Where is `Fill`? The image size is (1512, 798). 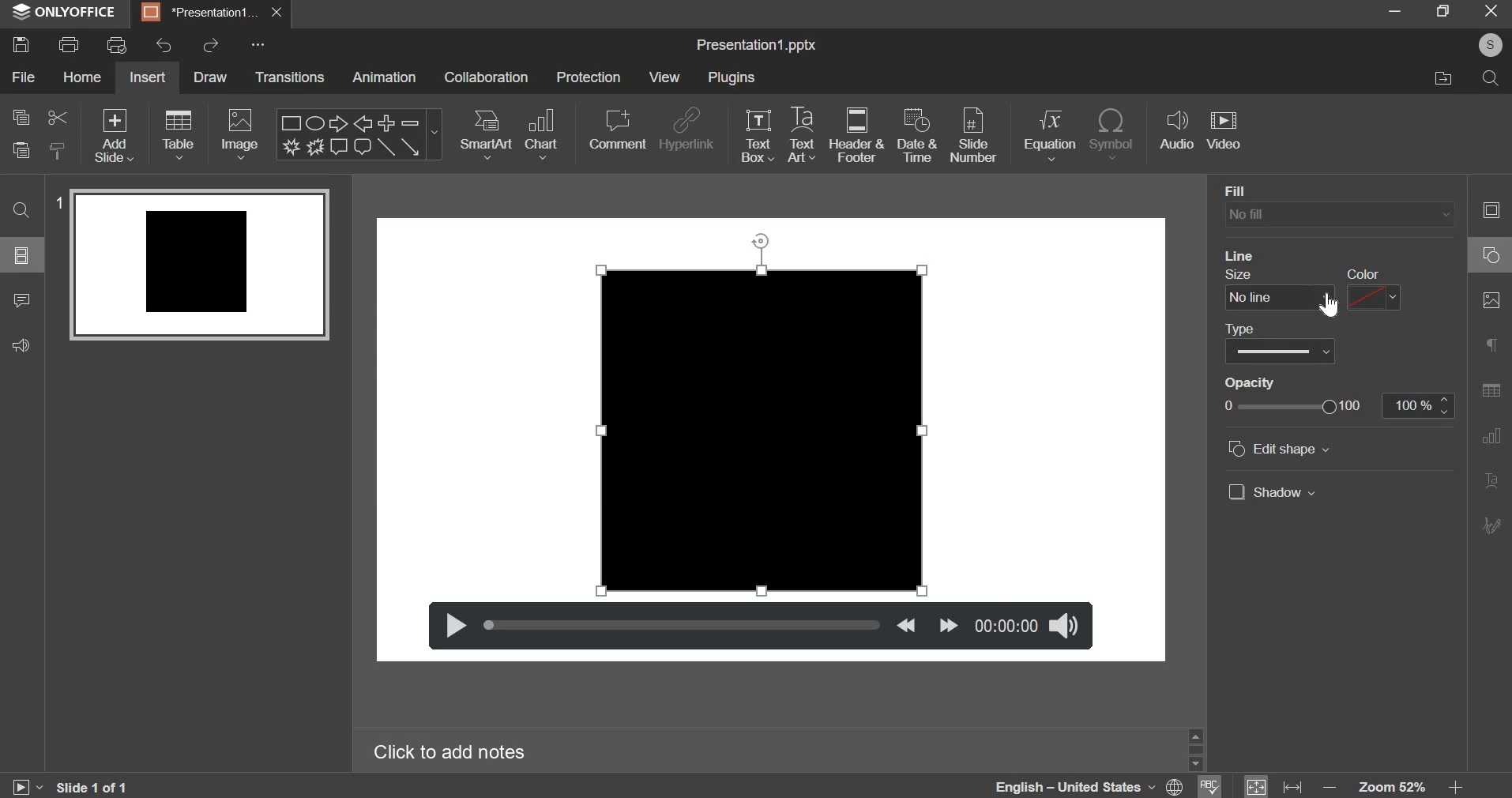 Fill is located at coordinates (1239, 187).